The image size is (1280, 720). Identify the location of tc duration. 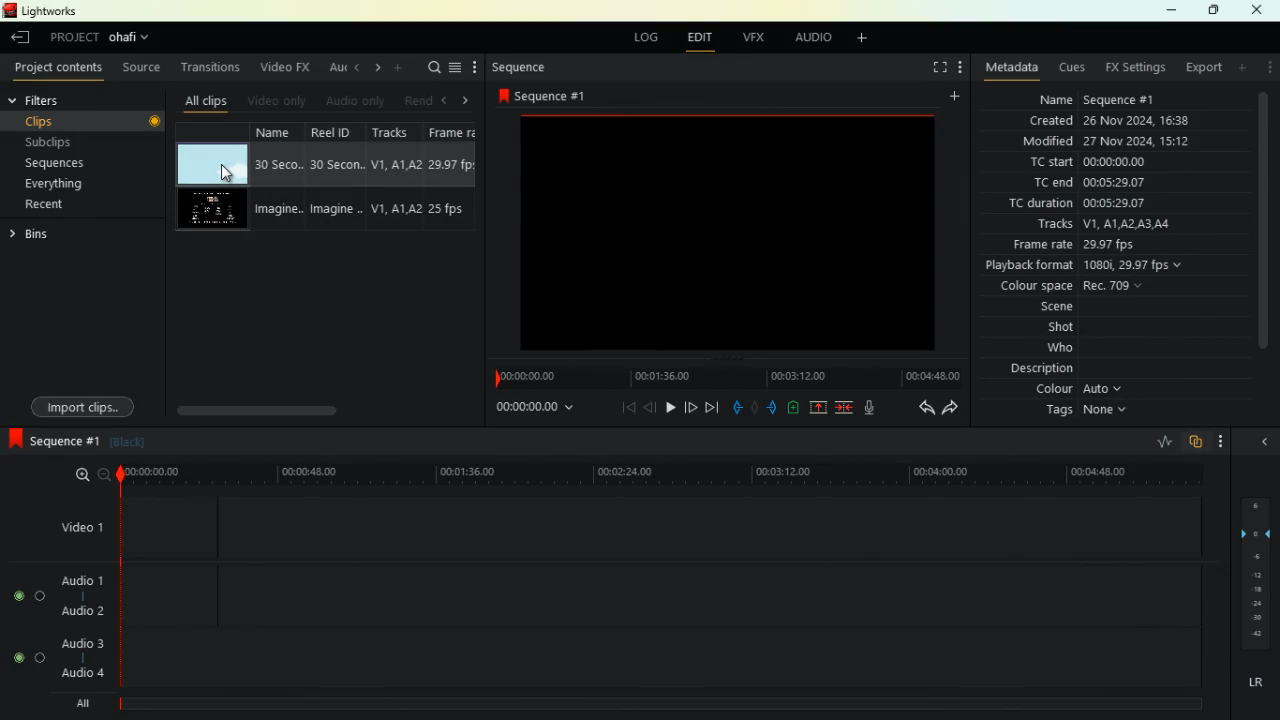
(1103, 204).